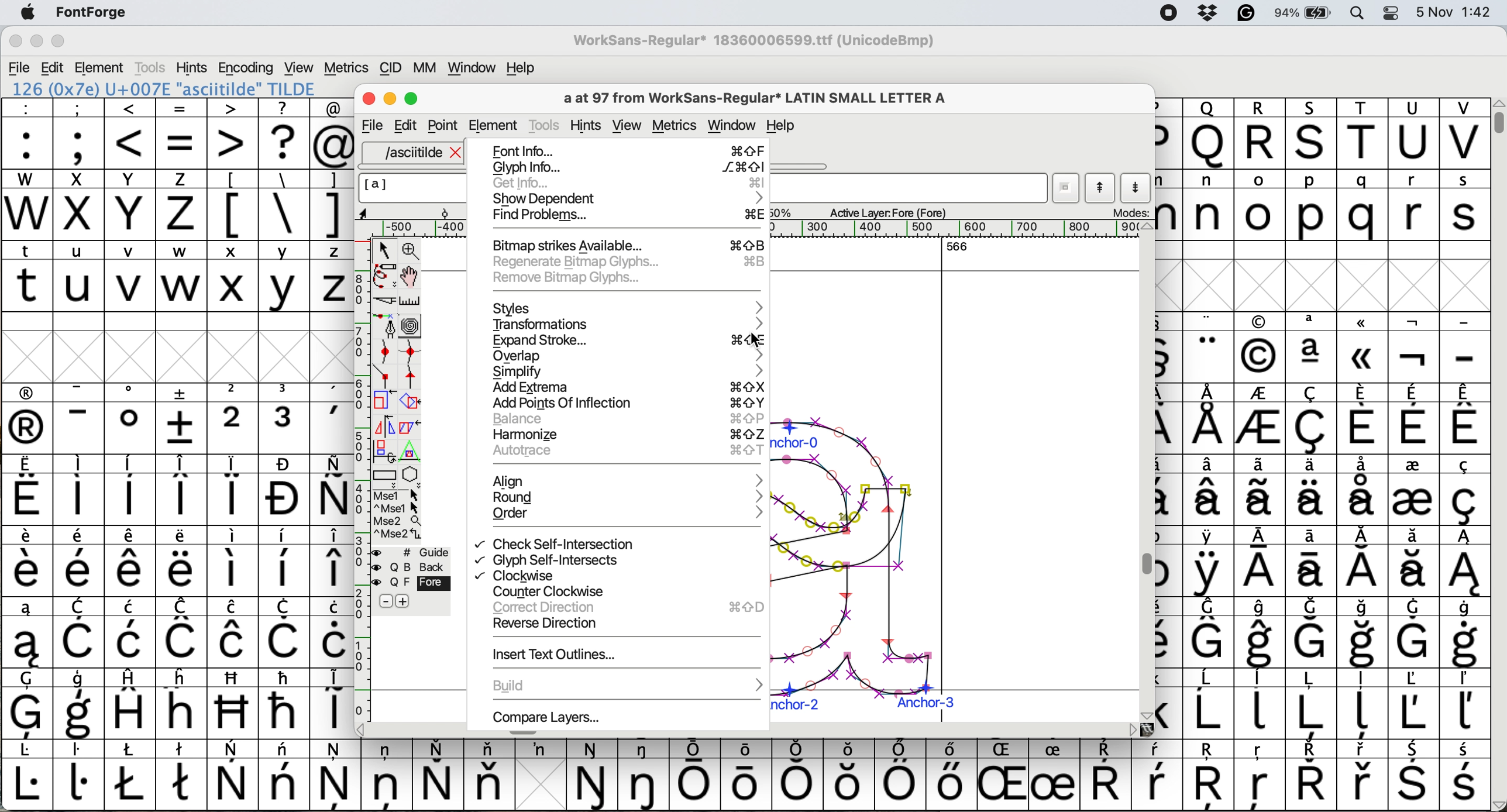 The height and width of the screenshot is (812, 1507). What do you see at coordinates (629, 372) in the screenshot?
I see `simplify` at bounding box center [629, 372].